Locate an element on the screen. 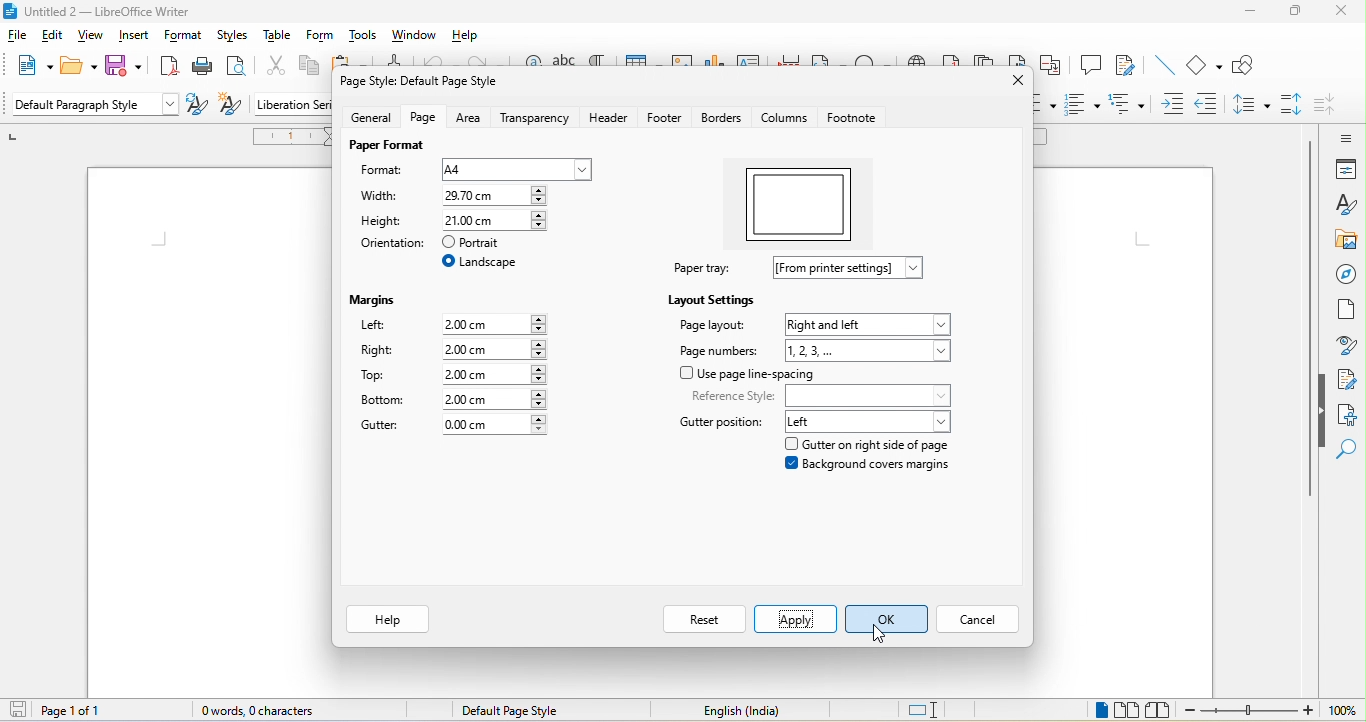  styles is located at coordinates (1345, 205).